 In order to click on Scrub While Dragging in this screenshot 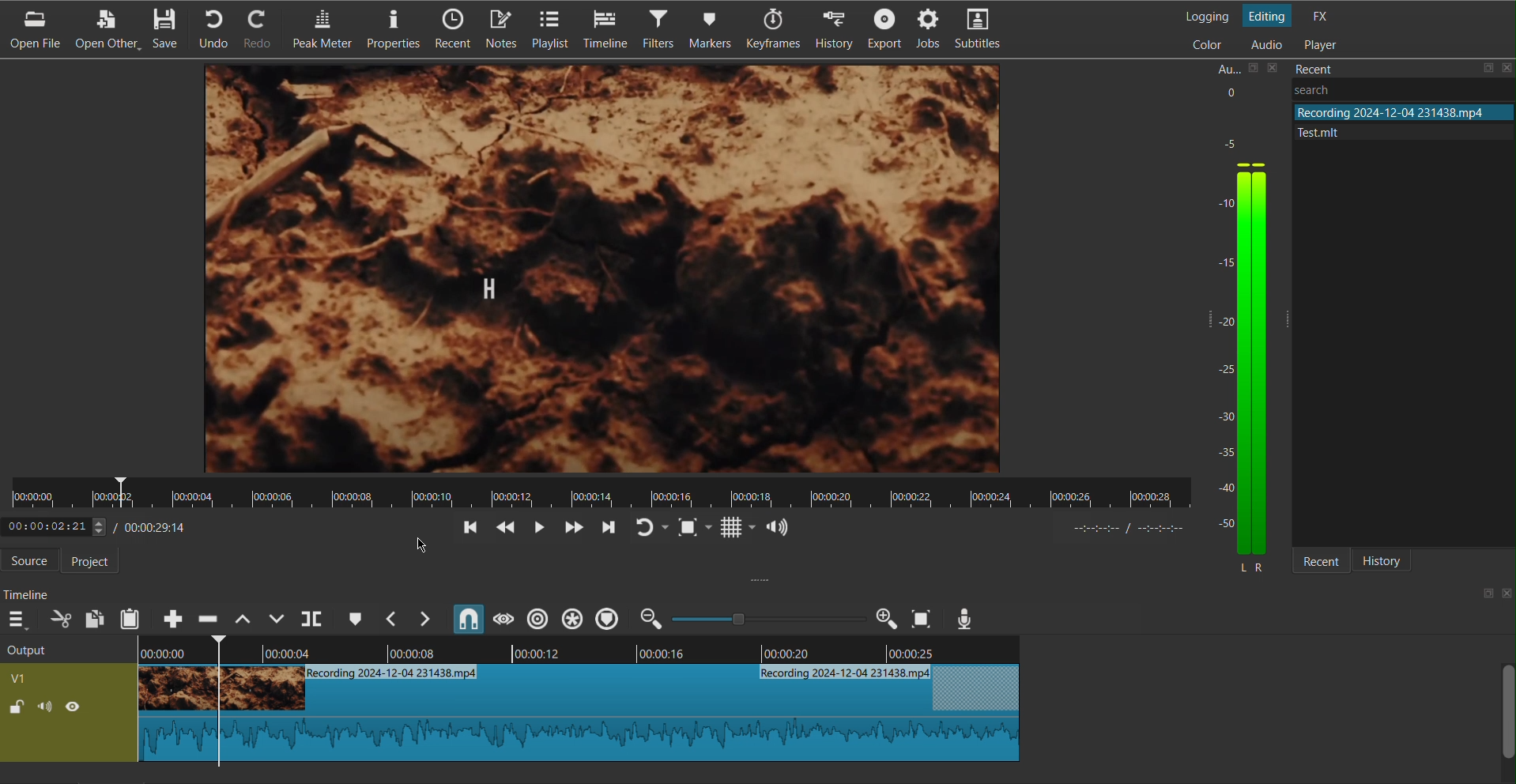, I will do `click(501, 618)`.